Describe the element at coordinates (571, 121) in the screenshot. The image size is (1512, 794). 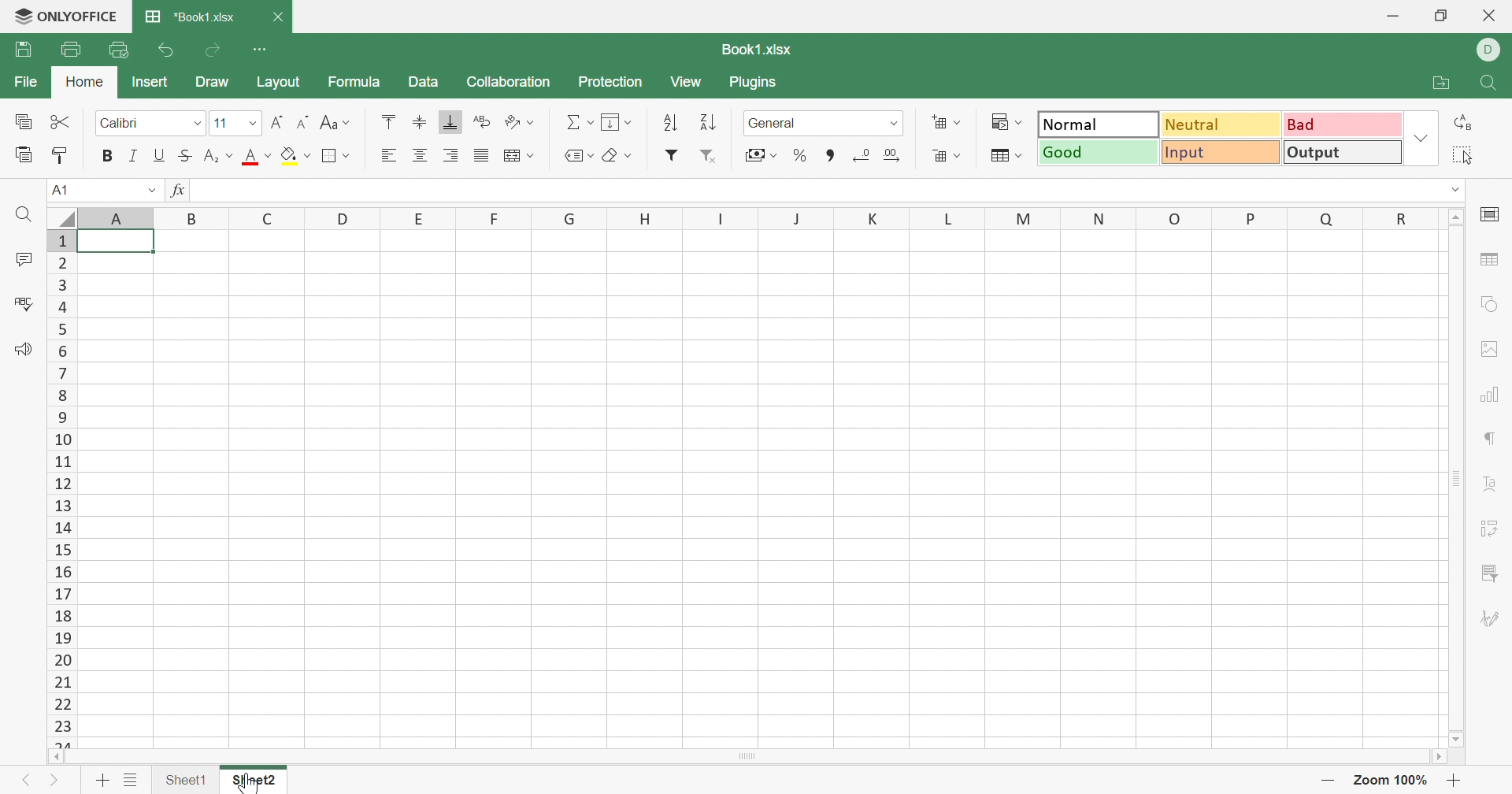
I see `Summation` at that location.